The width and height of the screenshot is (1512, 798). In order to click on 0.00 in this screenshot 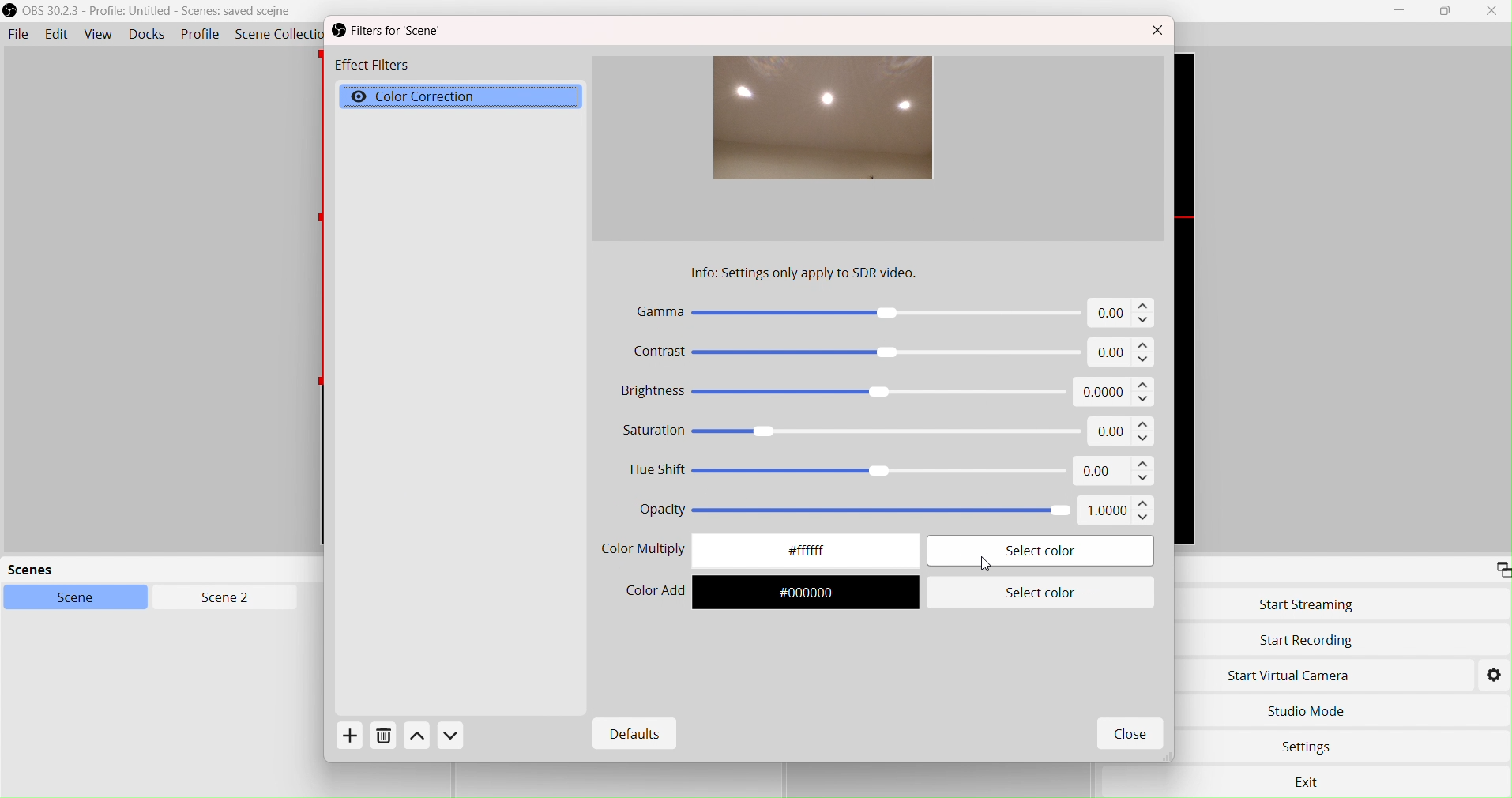, I will do `click(1123, 313)`.